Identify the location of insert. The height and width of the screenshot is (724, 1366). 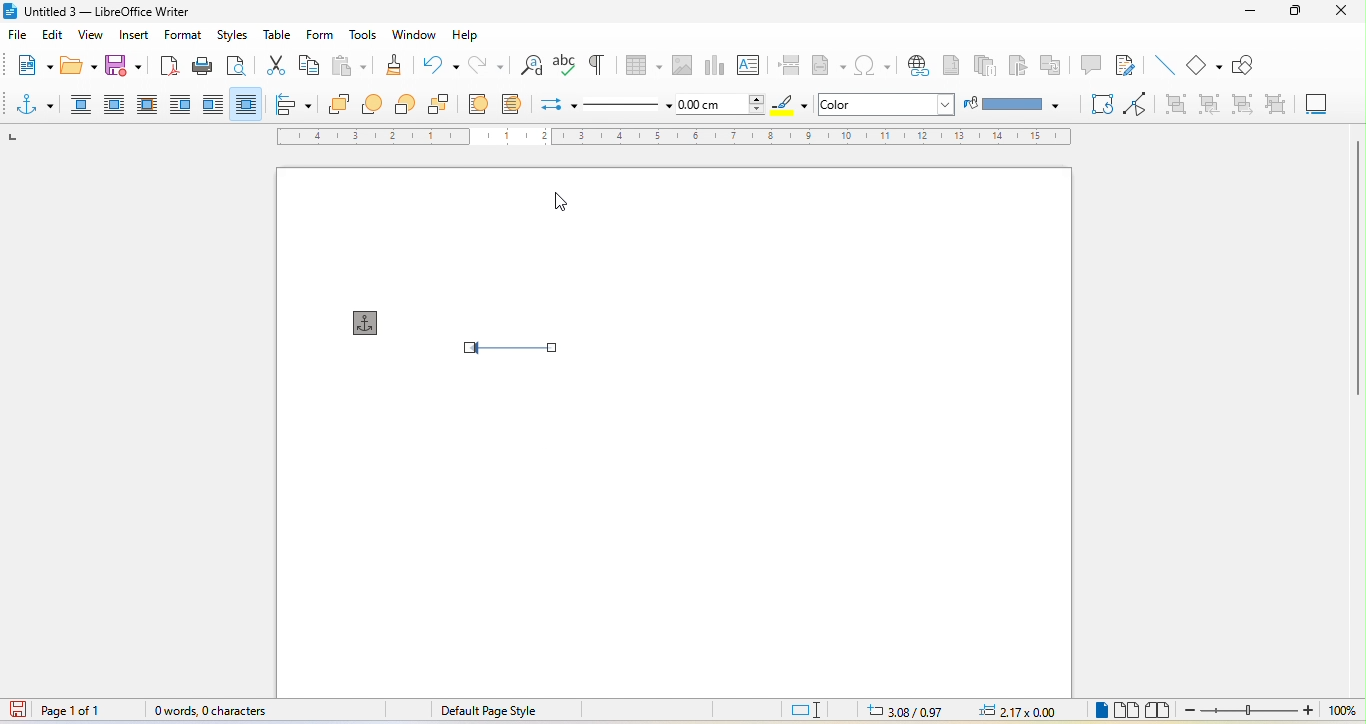
(135, 38).